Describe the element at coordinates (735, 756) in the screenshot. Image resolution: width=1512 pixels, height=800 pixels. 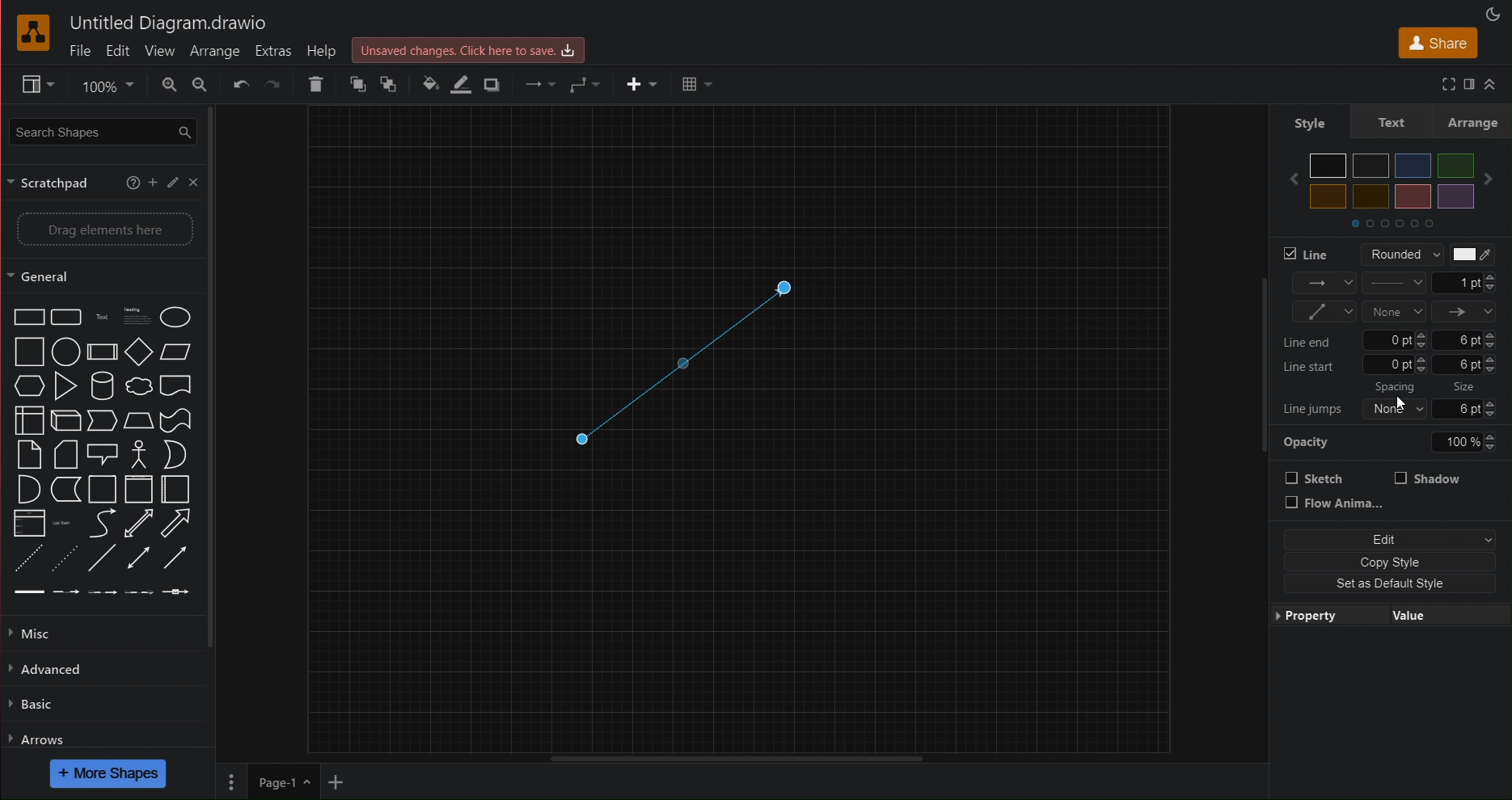
I see `page limit` at that location.